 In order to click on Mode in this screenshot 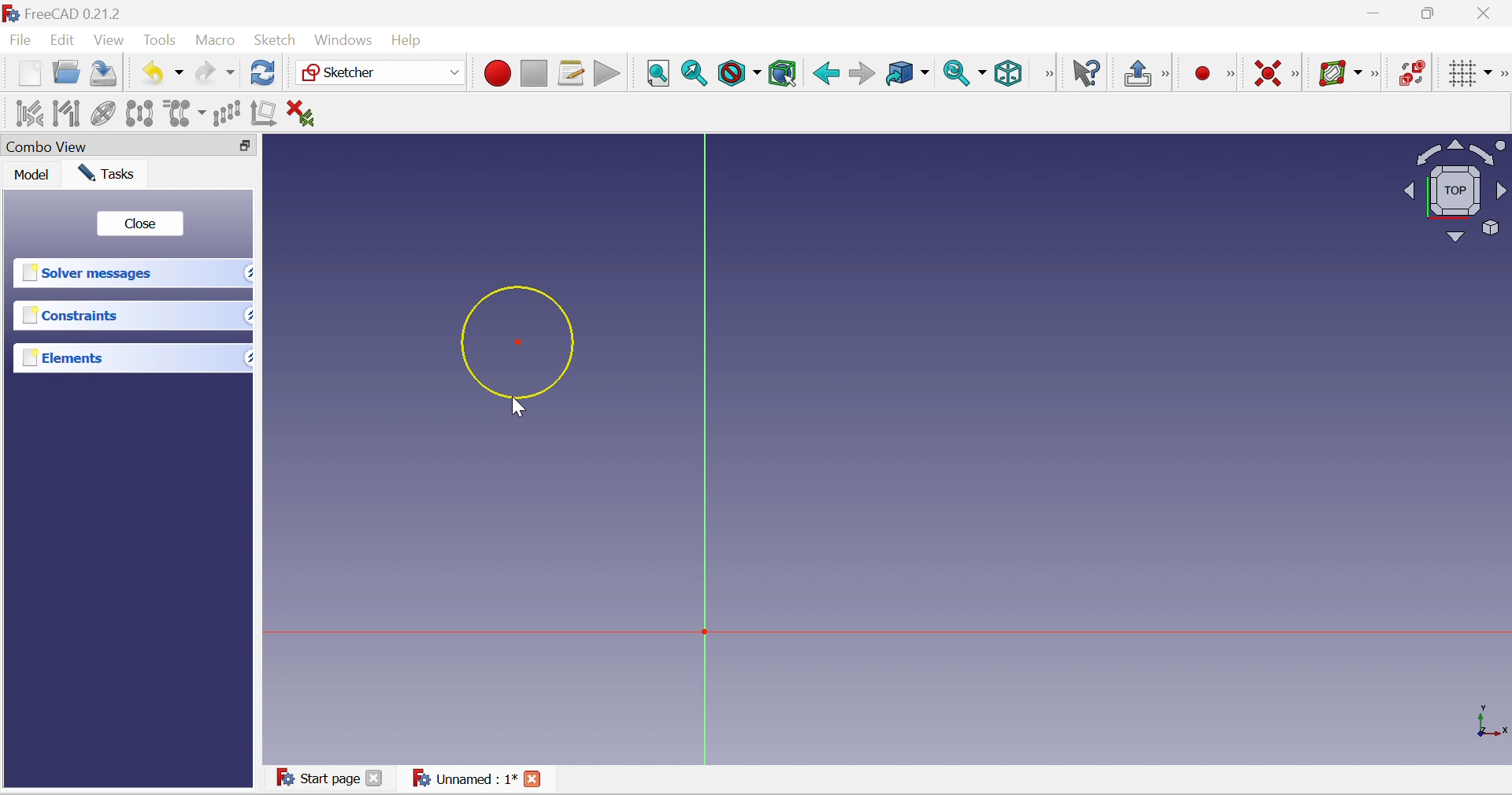, I will do `click(31, 175)`.